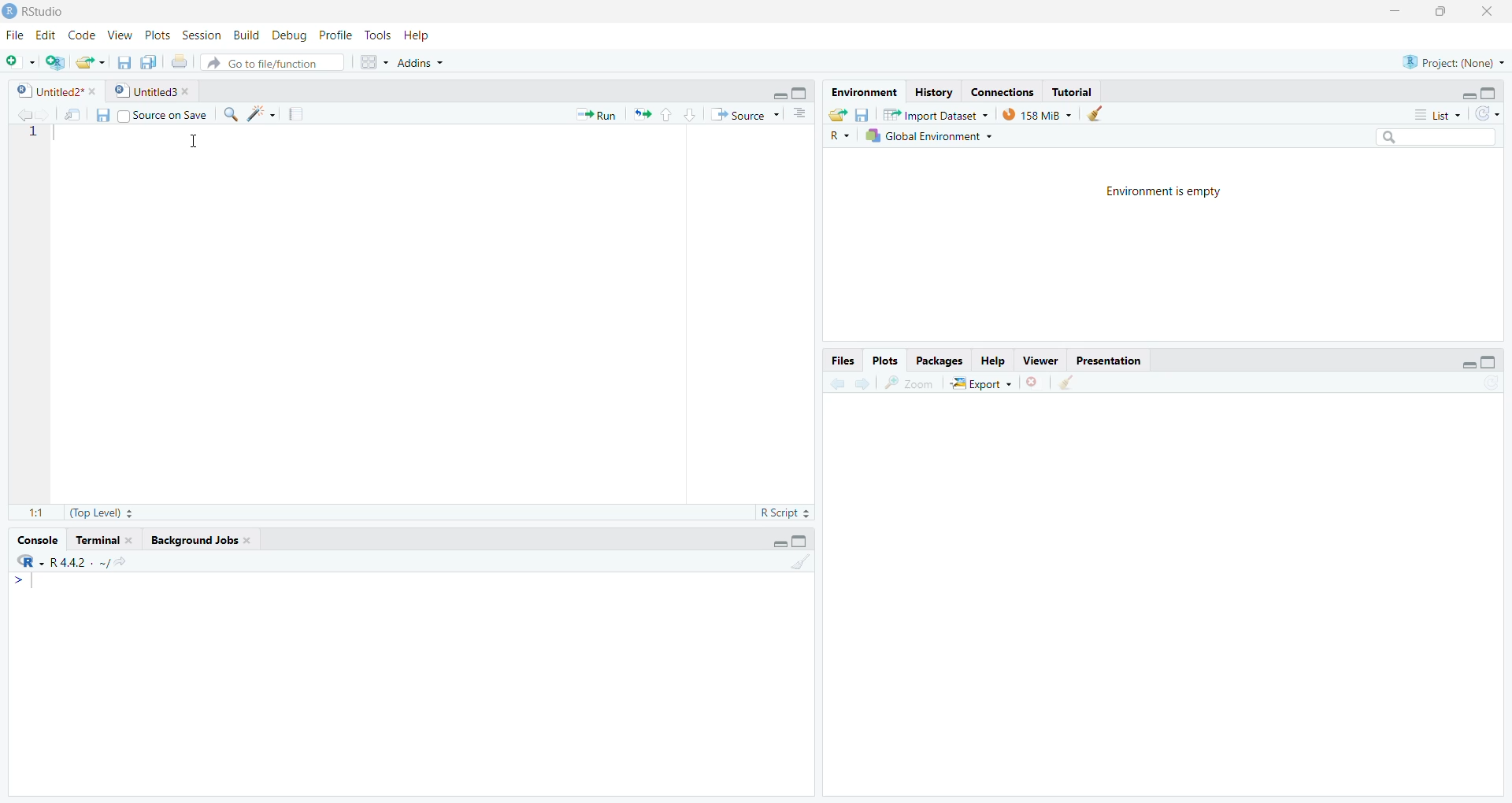 The width and height of the screenshot is (1512, 803). What do you see at coordinates (17, 58) in the screenshot?
I see `New file` at bounding box center [17, 58].